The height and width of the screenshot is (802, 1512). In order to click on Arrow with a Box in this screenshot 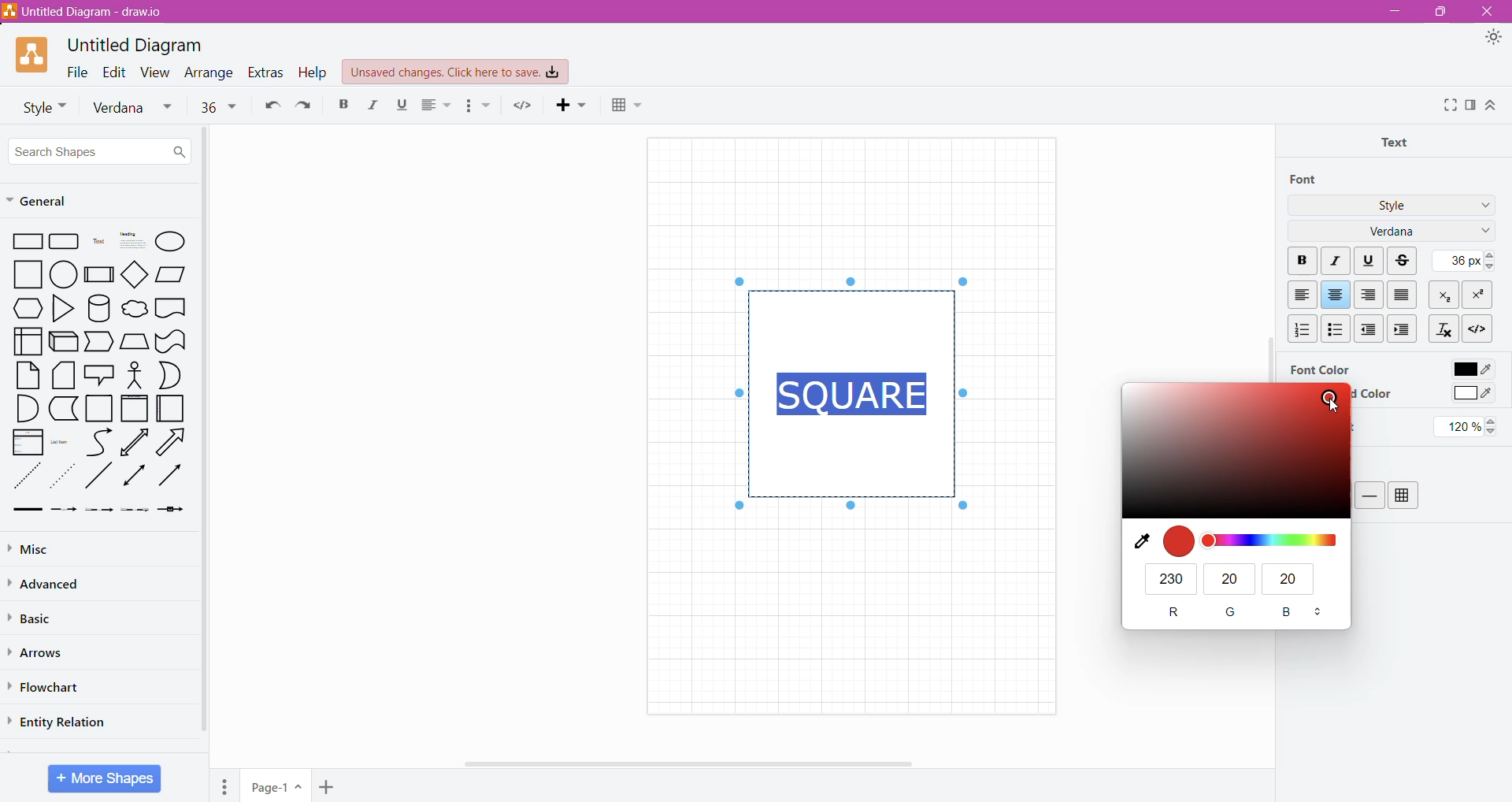, I will do `click(170, 509)`.